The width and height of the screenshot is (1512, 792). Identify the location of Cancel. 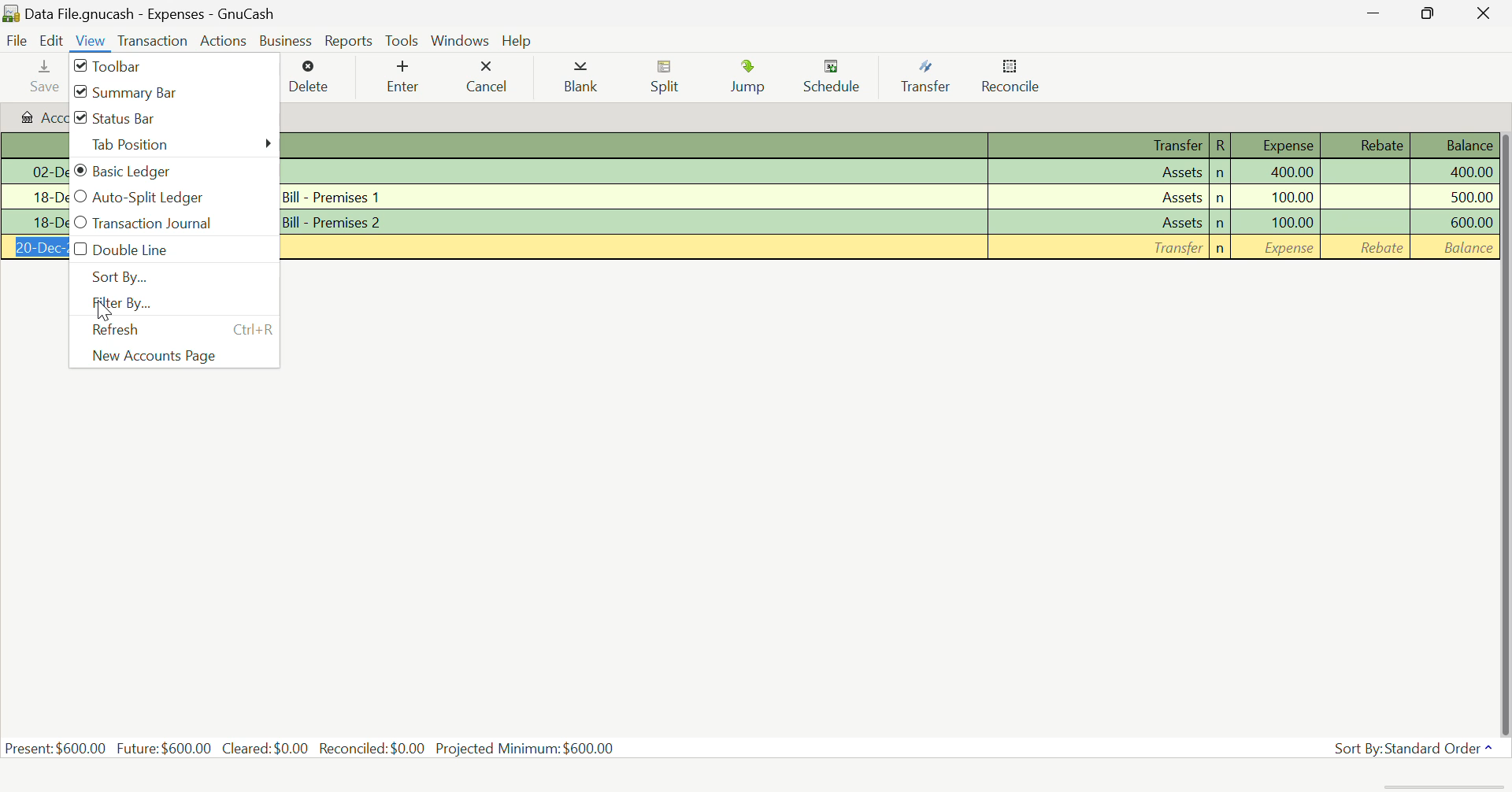
(491, 79).